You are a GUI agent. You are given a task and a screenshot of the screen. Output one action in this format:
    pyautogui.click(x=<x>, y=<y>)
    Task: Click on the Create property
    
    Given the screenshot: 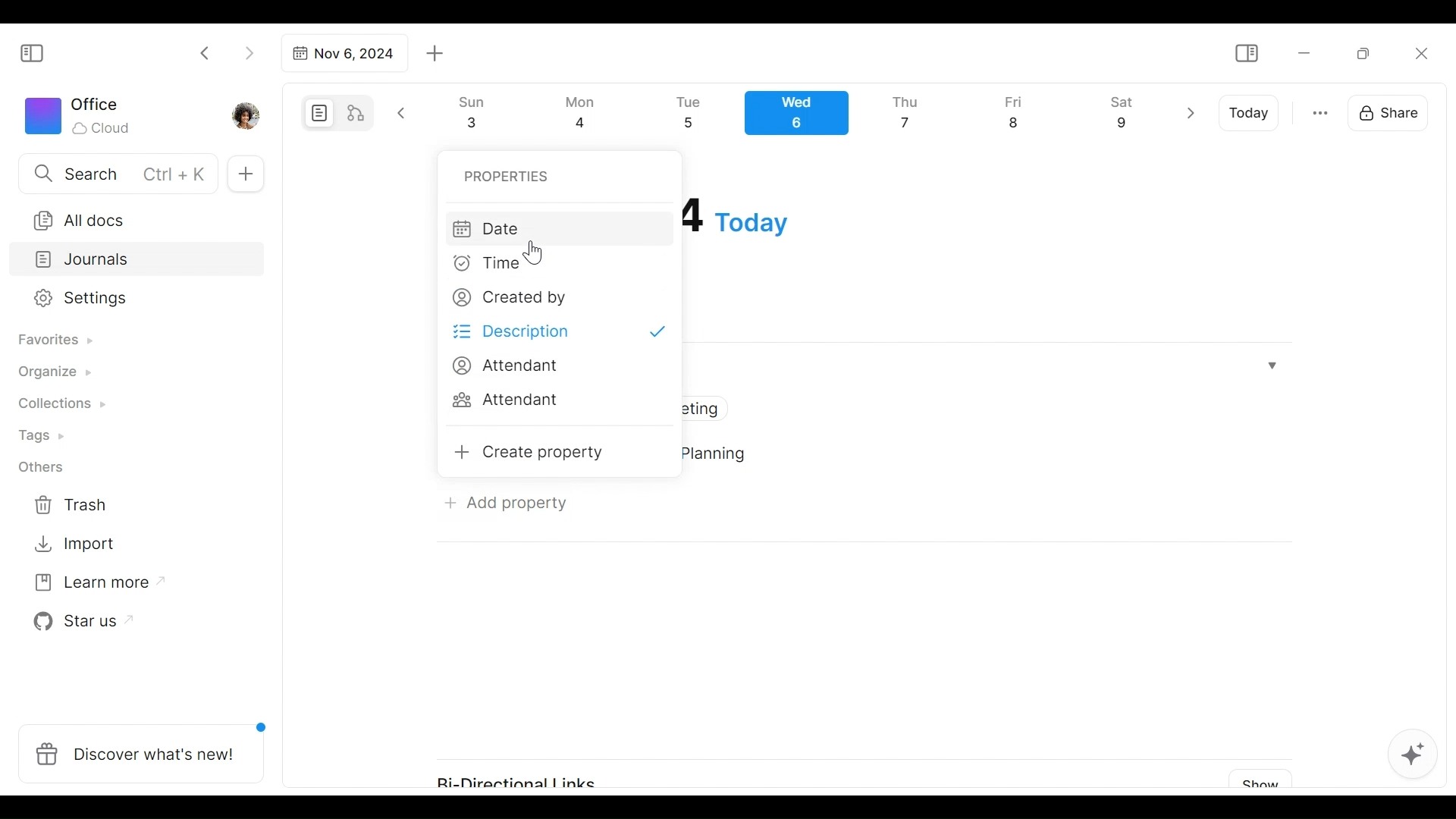 What is the action you would take?
    pyautogui.click(x=532, y=453)
    